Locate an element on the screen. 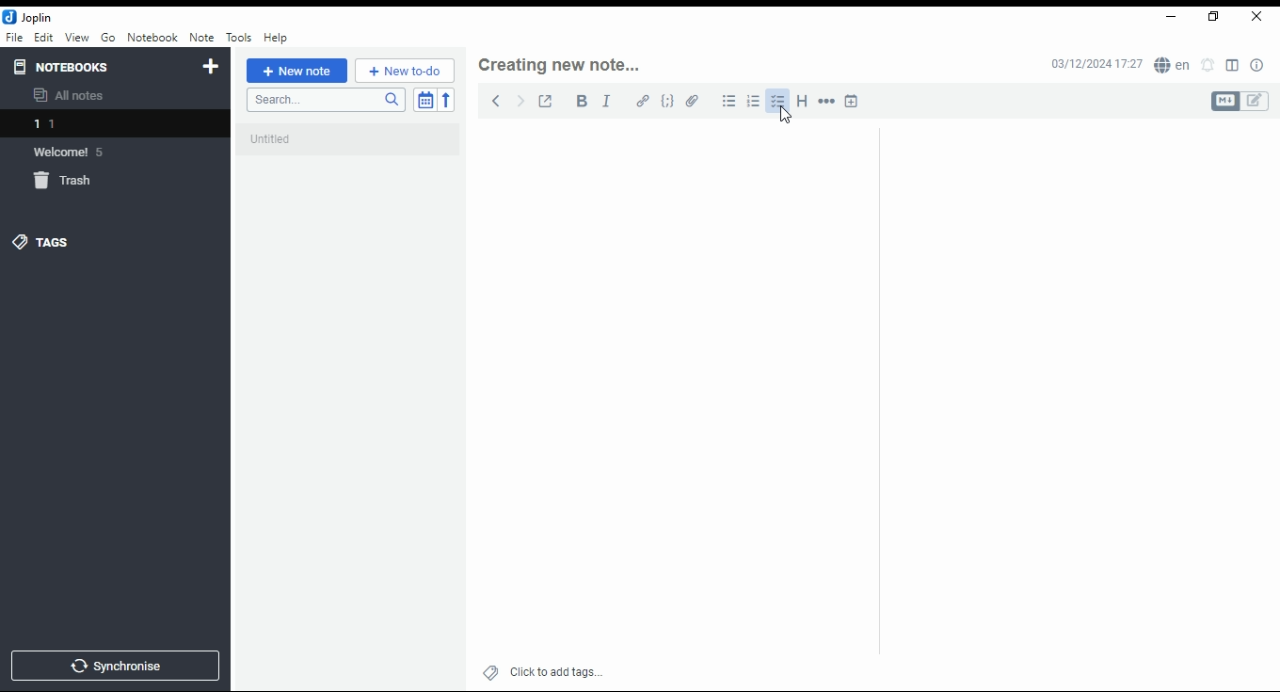 The width and height of the screenshot is (1280, 692). all notes is located at coordinates (71, 95).